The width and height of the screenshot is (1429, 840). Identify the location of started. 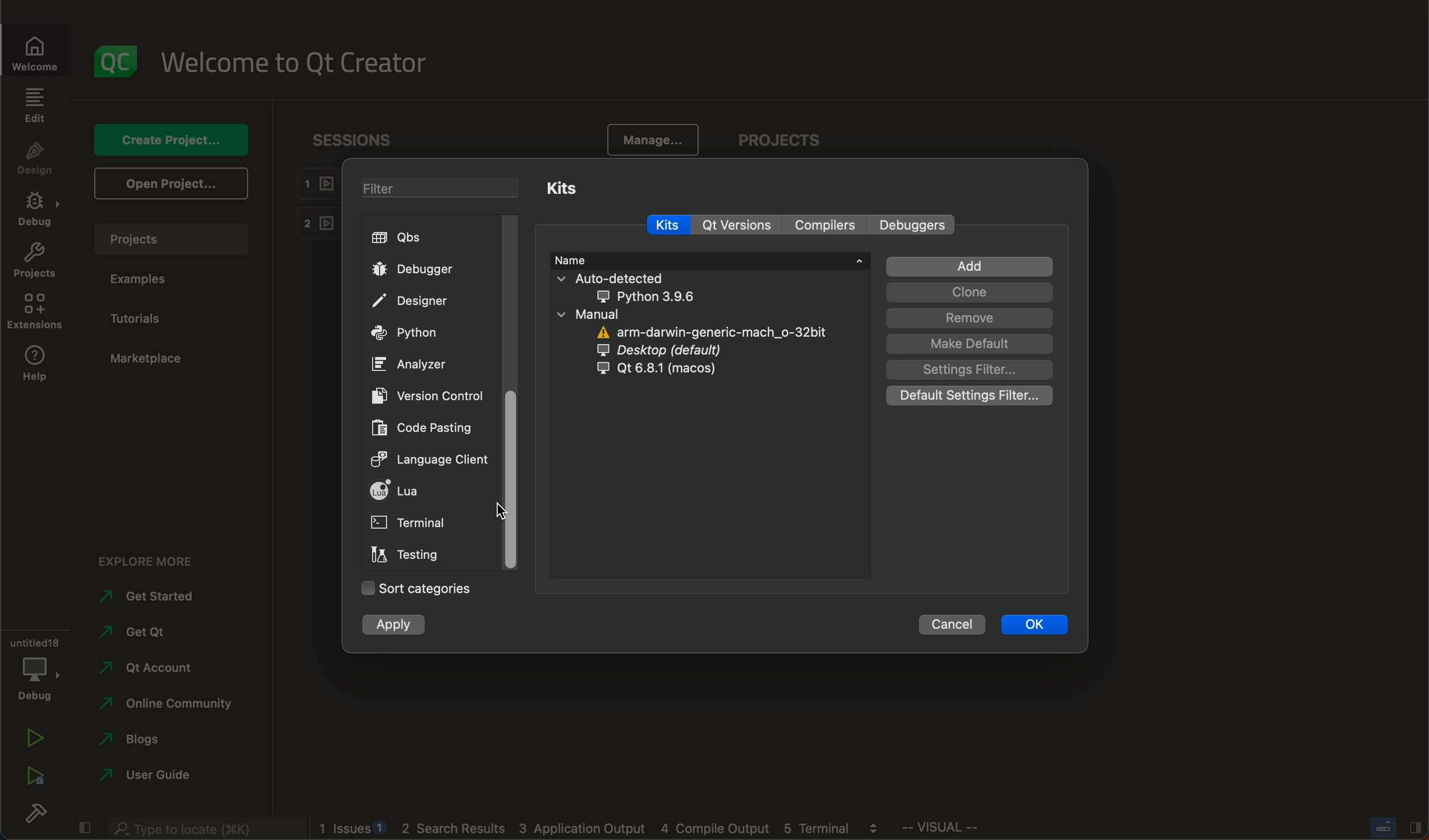
(156, 597).